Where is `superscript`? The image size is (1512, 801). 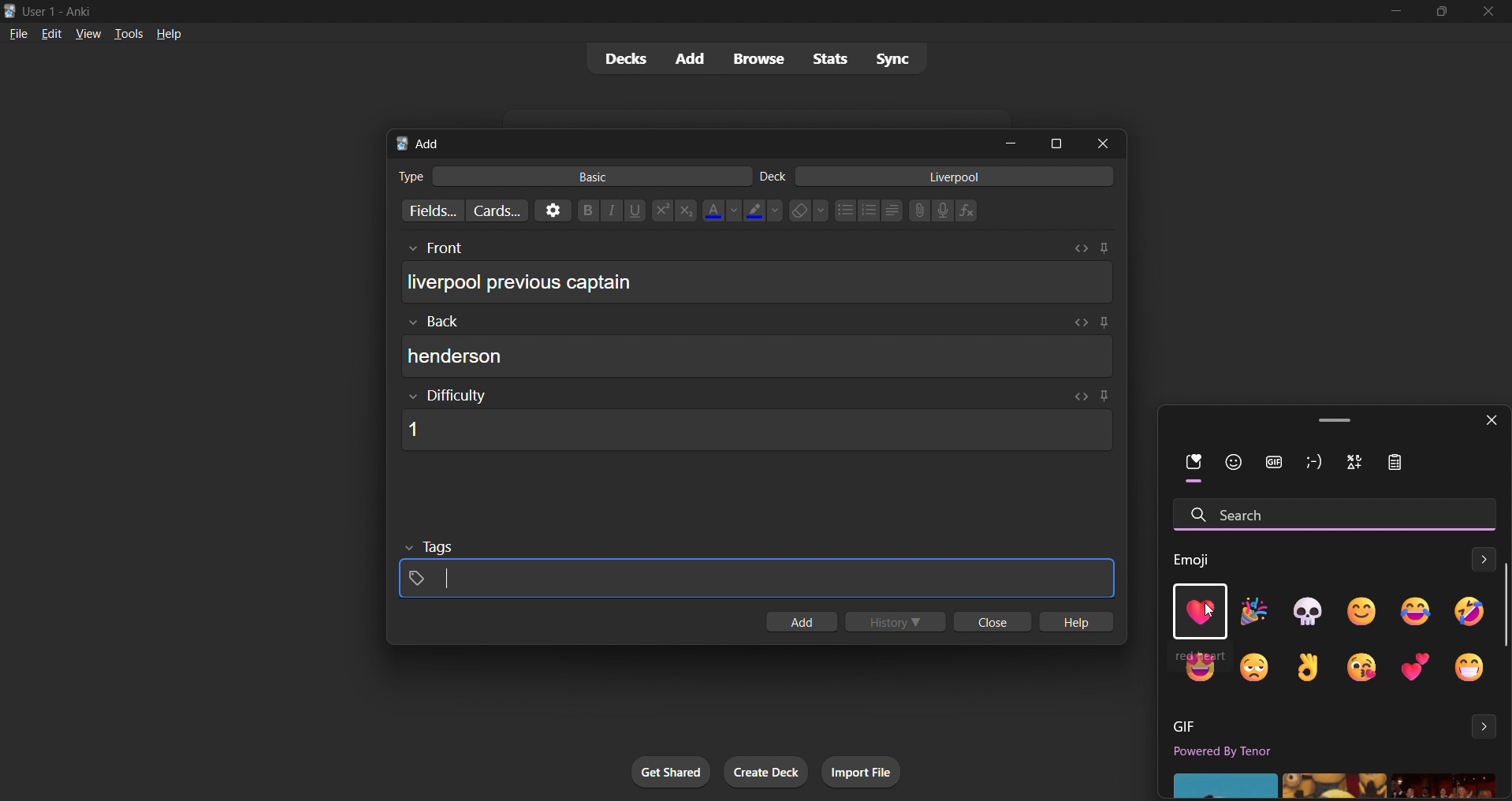
superscript is located at coordinates (661, 211).